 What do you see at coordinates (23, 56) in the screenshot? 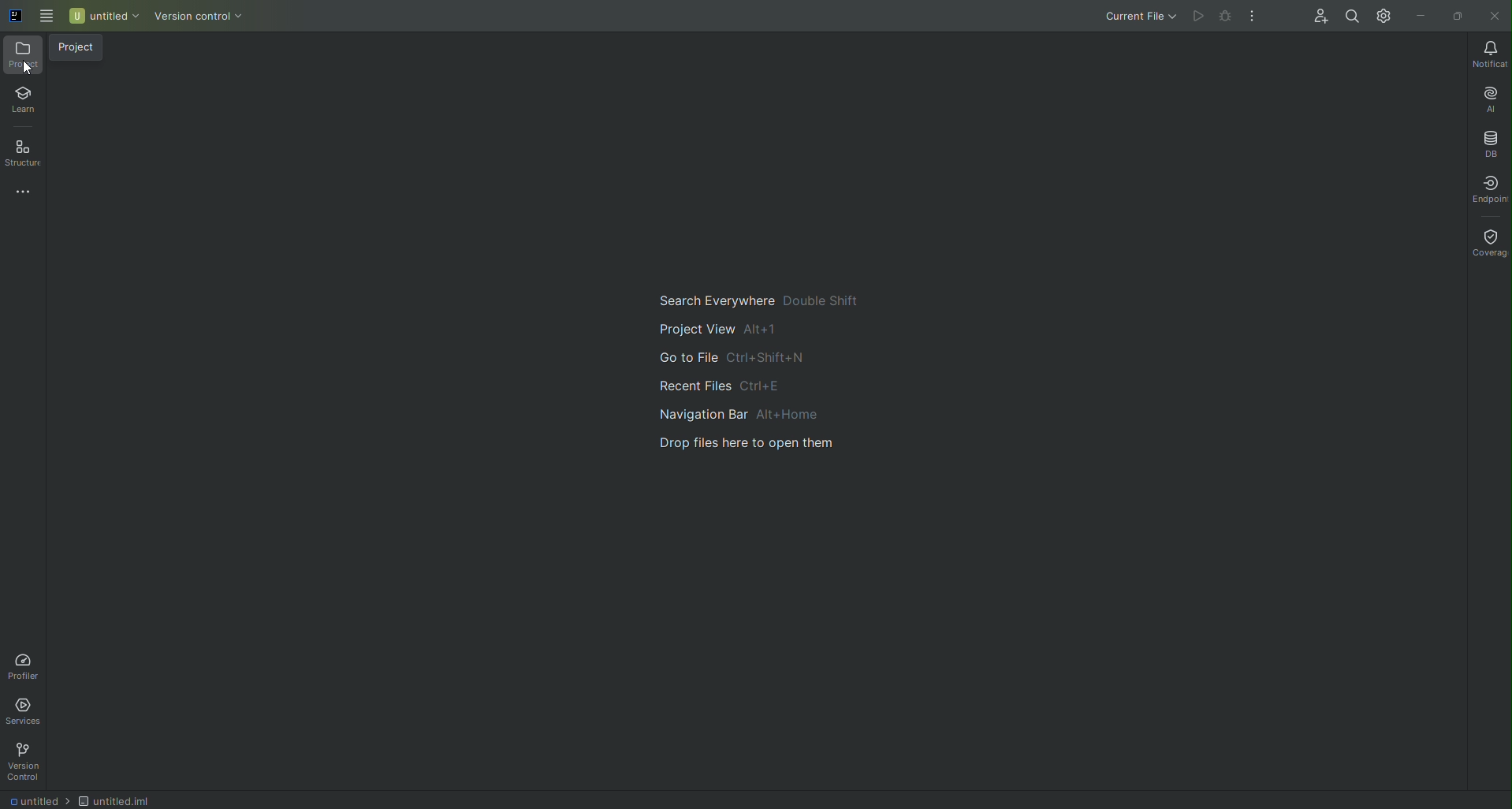
I see `Project` at bounding box center [23, 56].